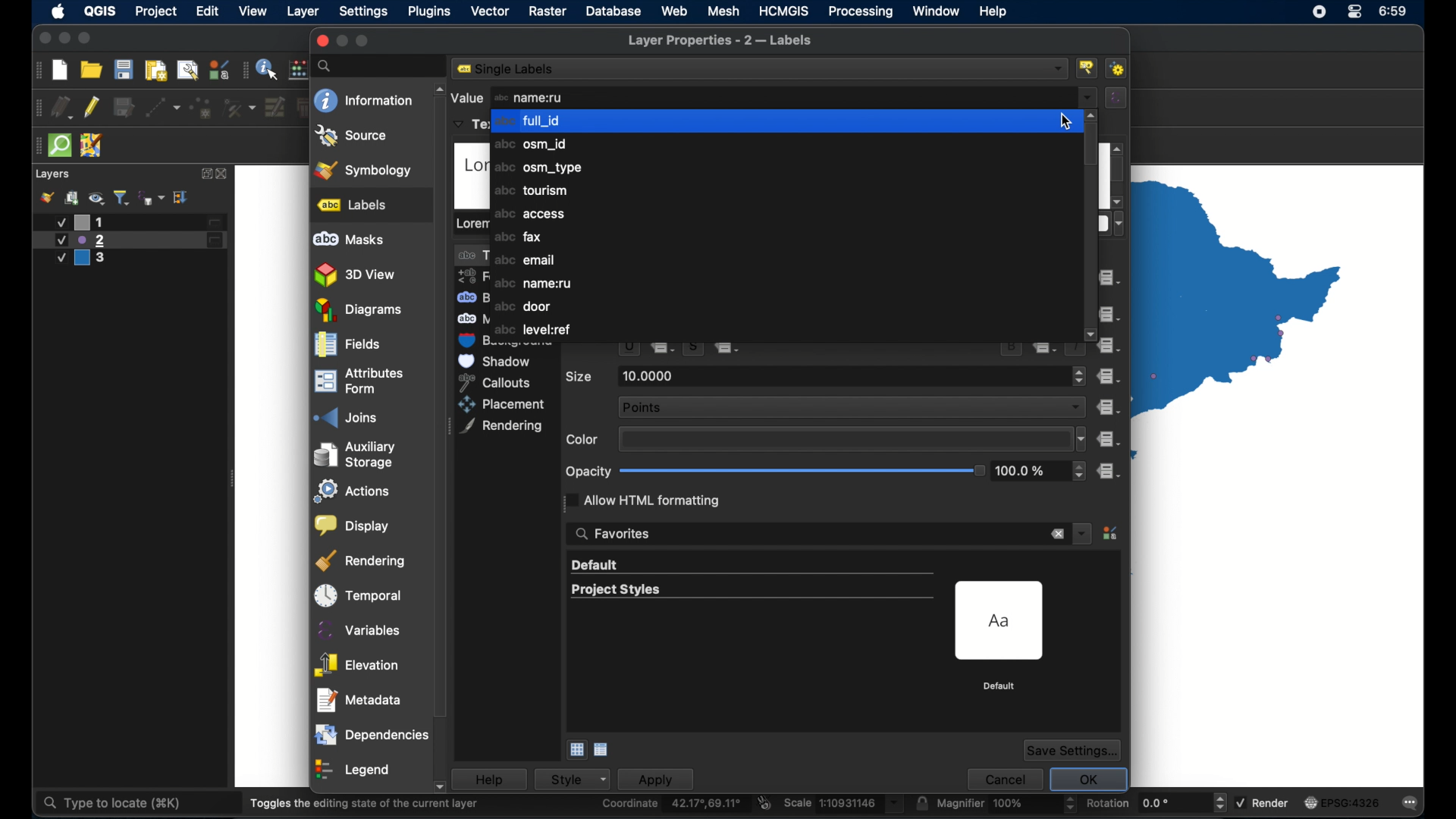 This screenshot has height=819, width=1456. Describe the element at coordinates (1114, 346) in the screenshot. I see `data defined override` at that location.